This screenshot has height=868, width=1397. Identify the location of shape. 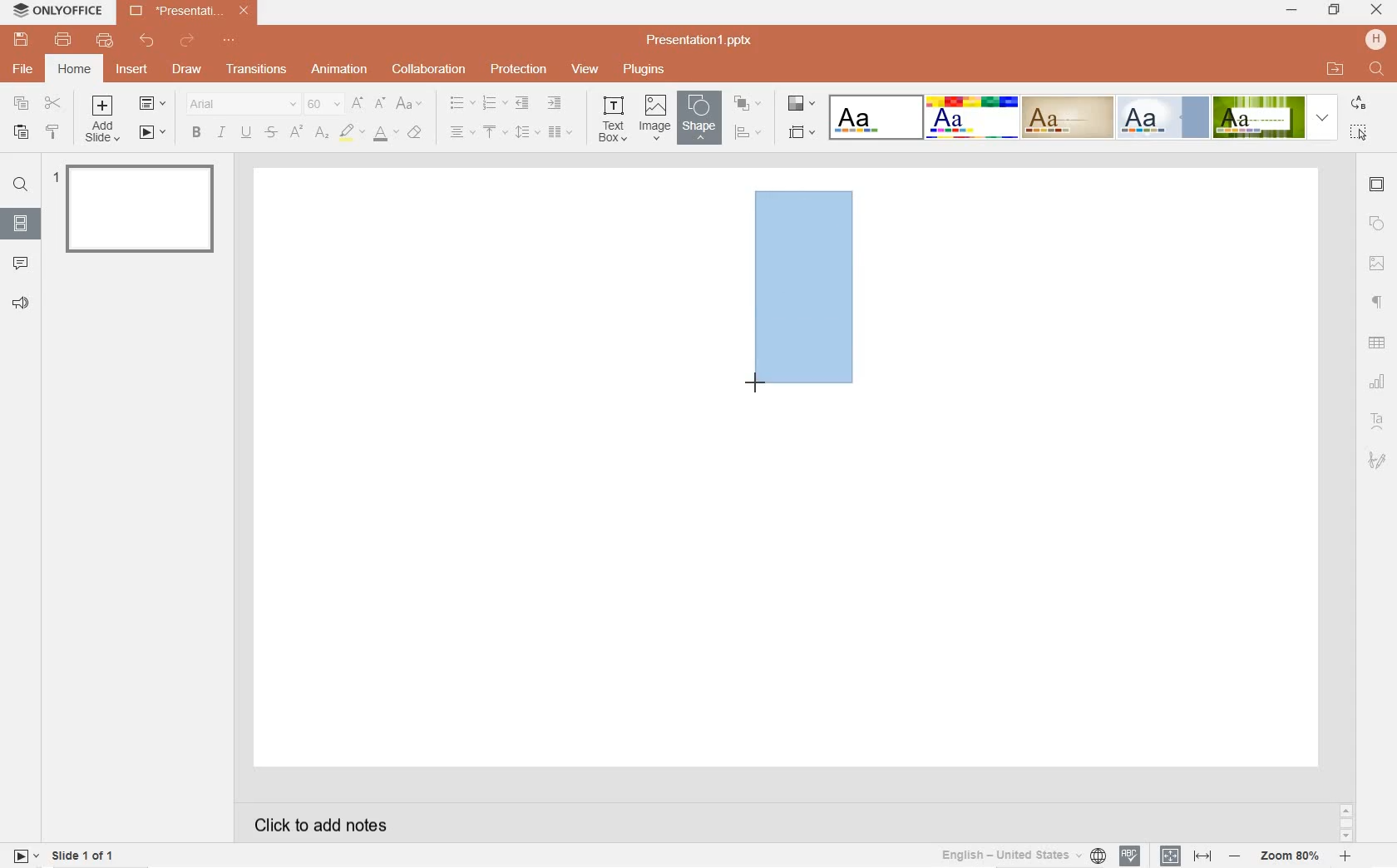
(697, 117).